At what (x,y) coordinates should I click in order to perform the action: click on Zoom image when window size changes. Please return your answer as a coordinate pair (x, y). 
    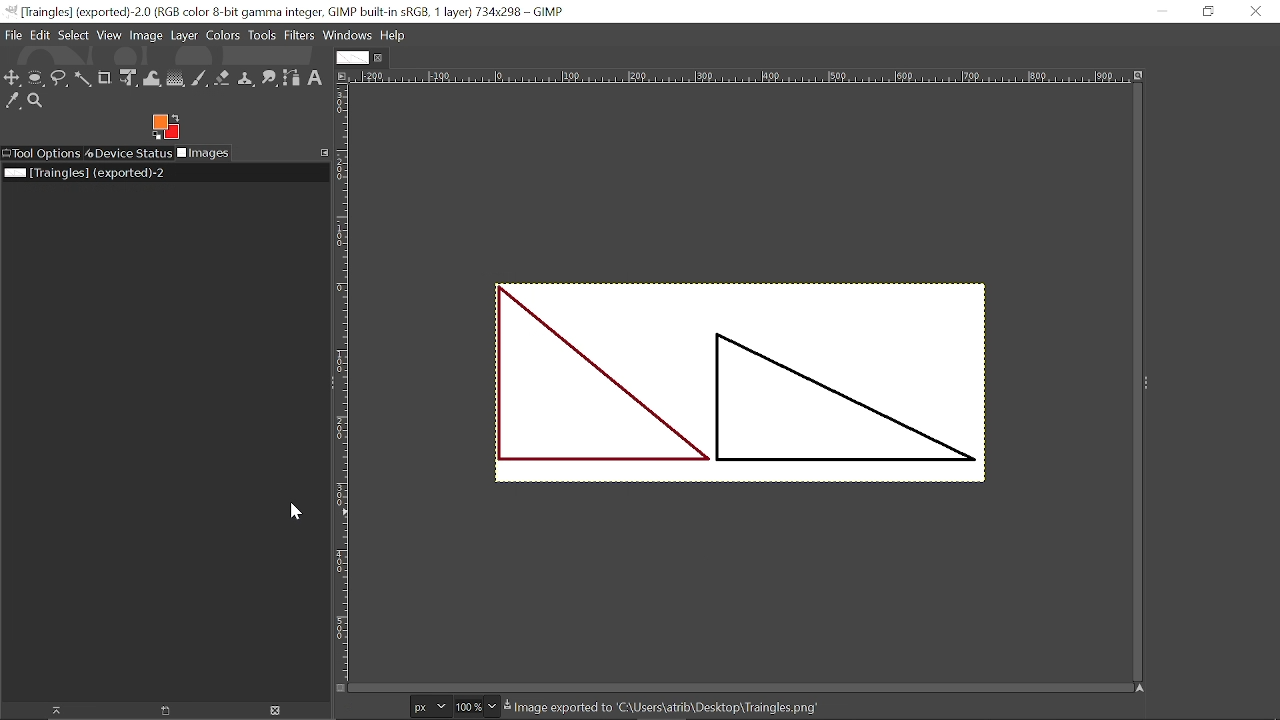
    Looking at the image, I should click on (1138, 75).